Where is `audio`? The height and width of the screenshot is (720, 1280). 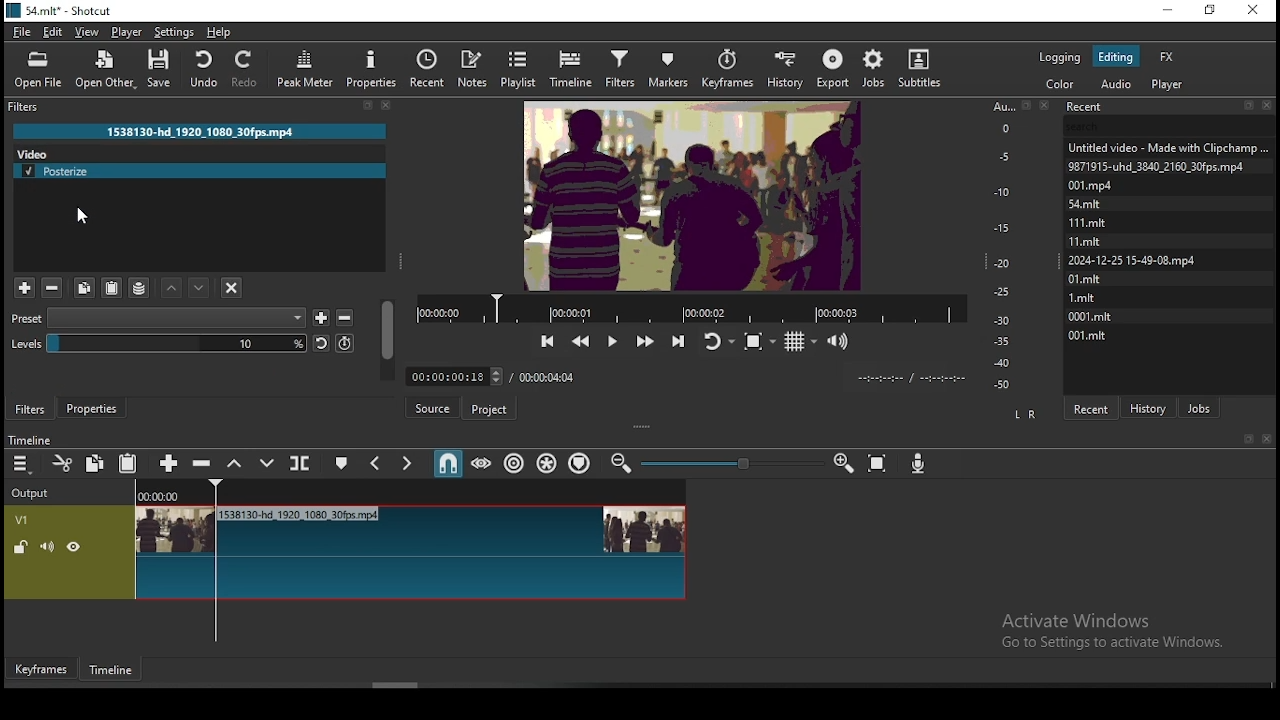 audio is located at coordinates (1171, 85).